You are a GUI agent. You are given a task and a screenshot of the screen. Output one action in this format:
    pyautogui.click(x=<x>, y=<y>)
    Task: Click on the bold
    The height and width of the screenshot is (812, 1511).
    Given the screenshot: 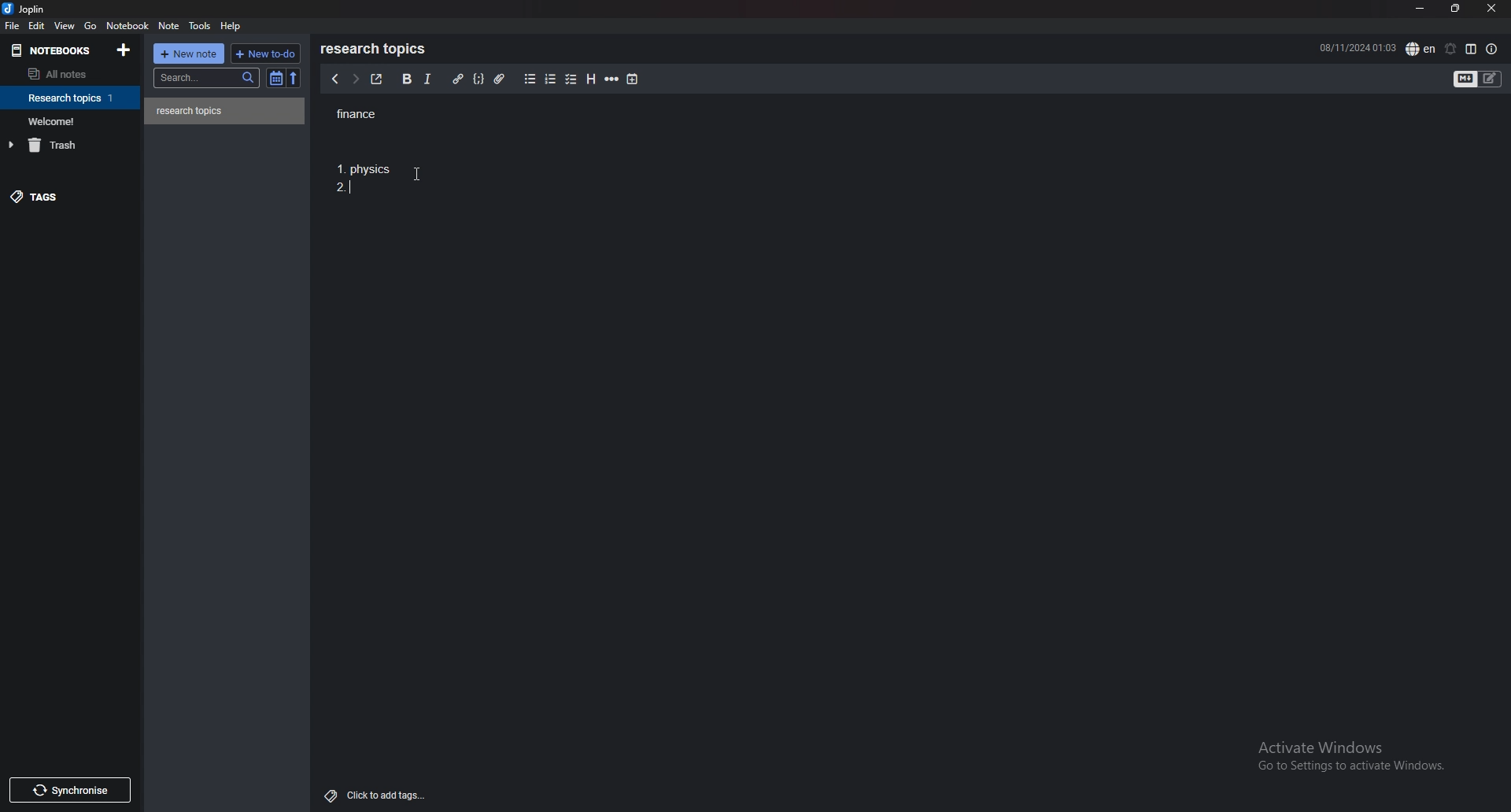 What is the action you would take?
    pyautogui.click(x=405, y=79)
    